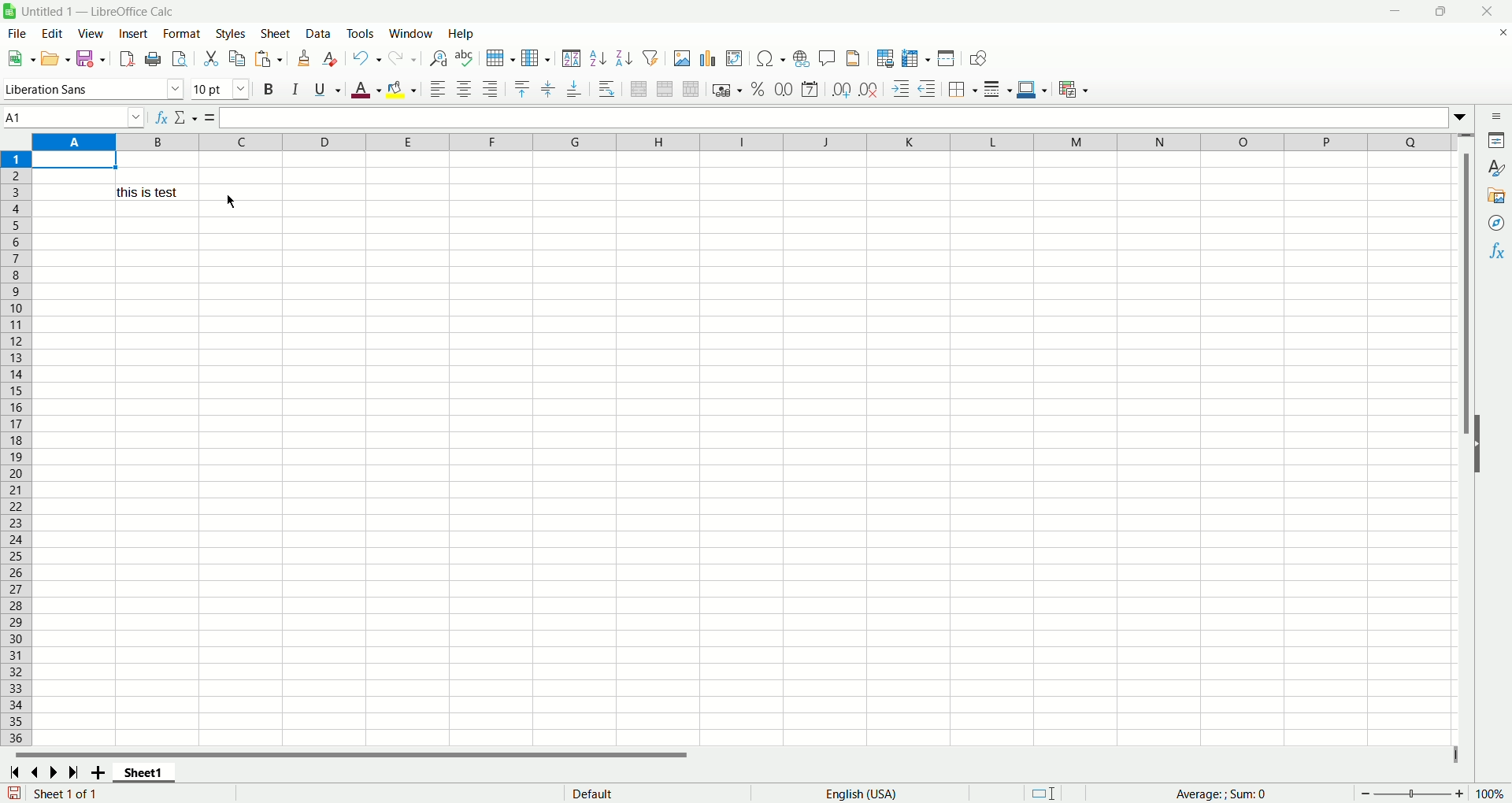 This screenshot has height=803, width=1512. What do you see at coordinates (297, 88) in the screenshot?
I see `italic` at bounding box center [297, 88].